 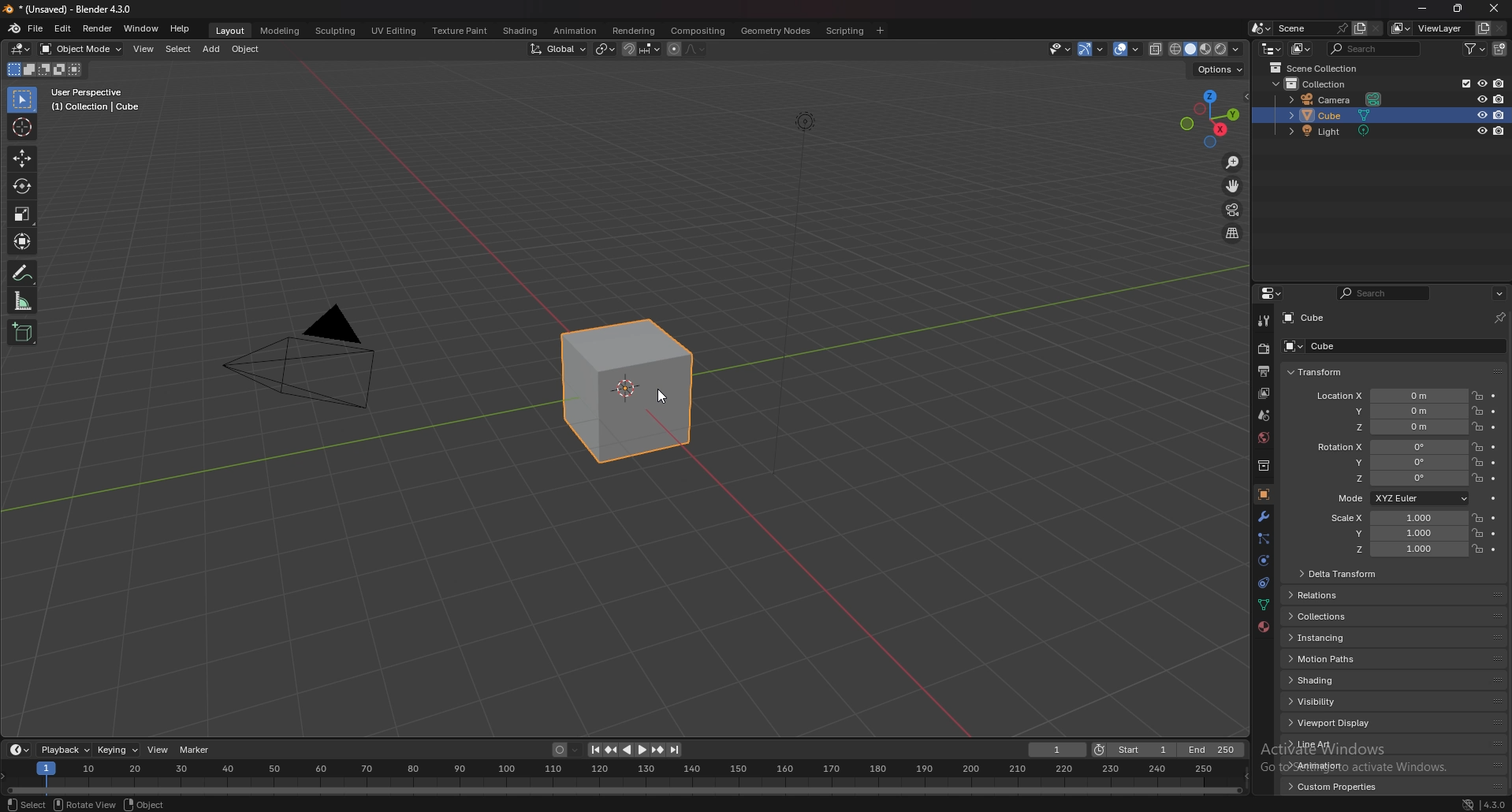 I want to click on custom properties, so click(x=1339, y=787).